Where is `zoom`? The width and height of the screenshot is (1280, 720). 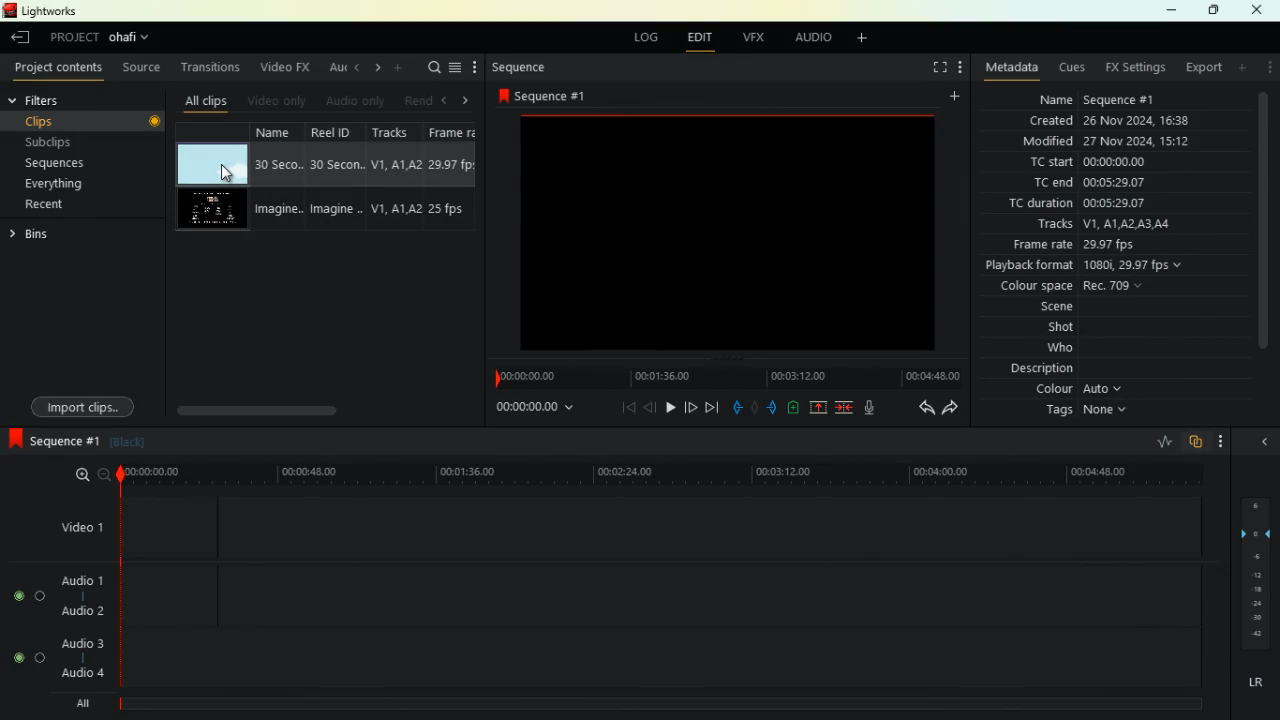
zoom is located at coordinates (85, 474).